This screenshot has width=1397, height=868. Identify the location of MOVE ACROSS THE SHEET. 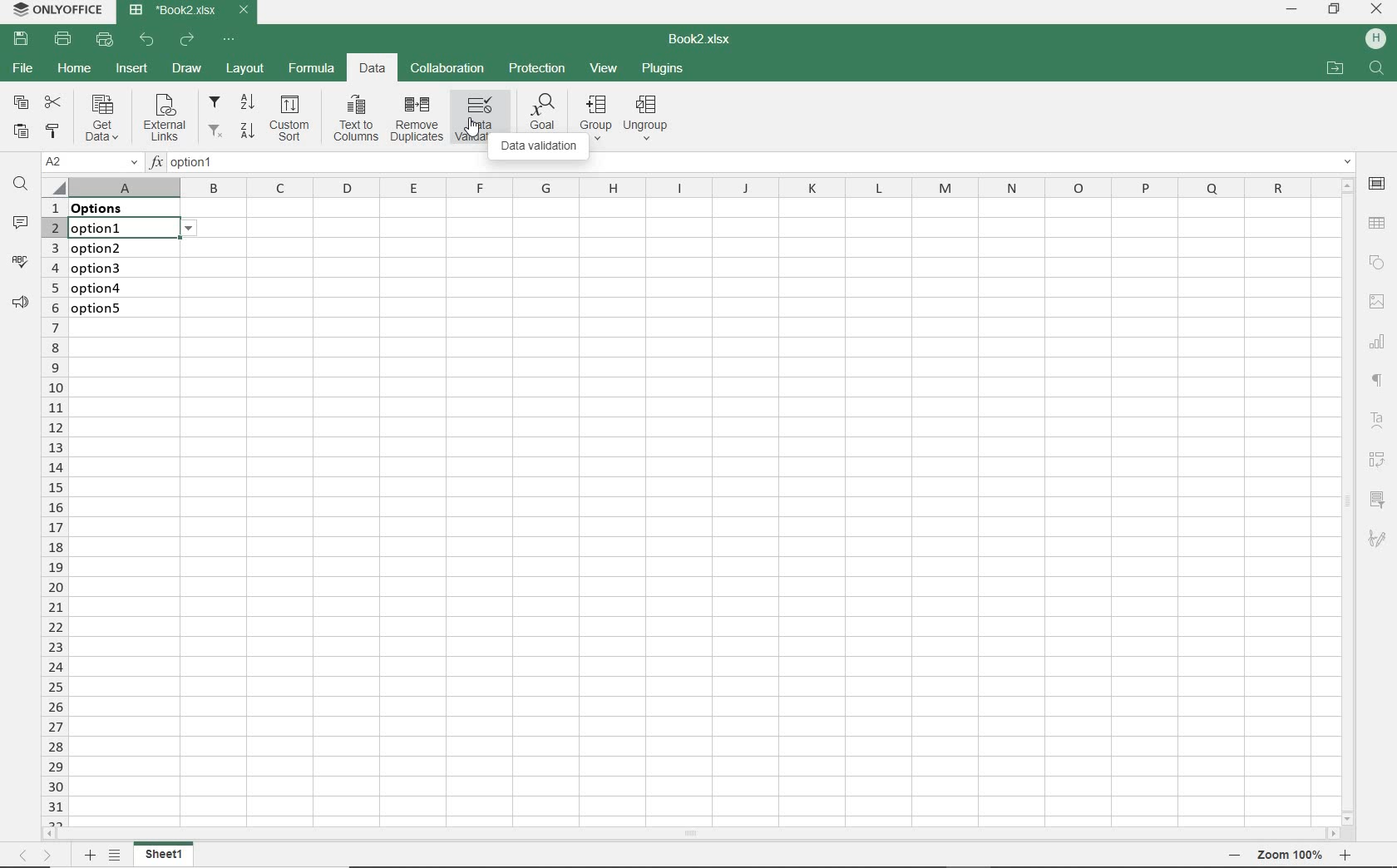
(36, 855).